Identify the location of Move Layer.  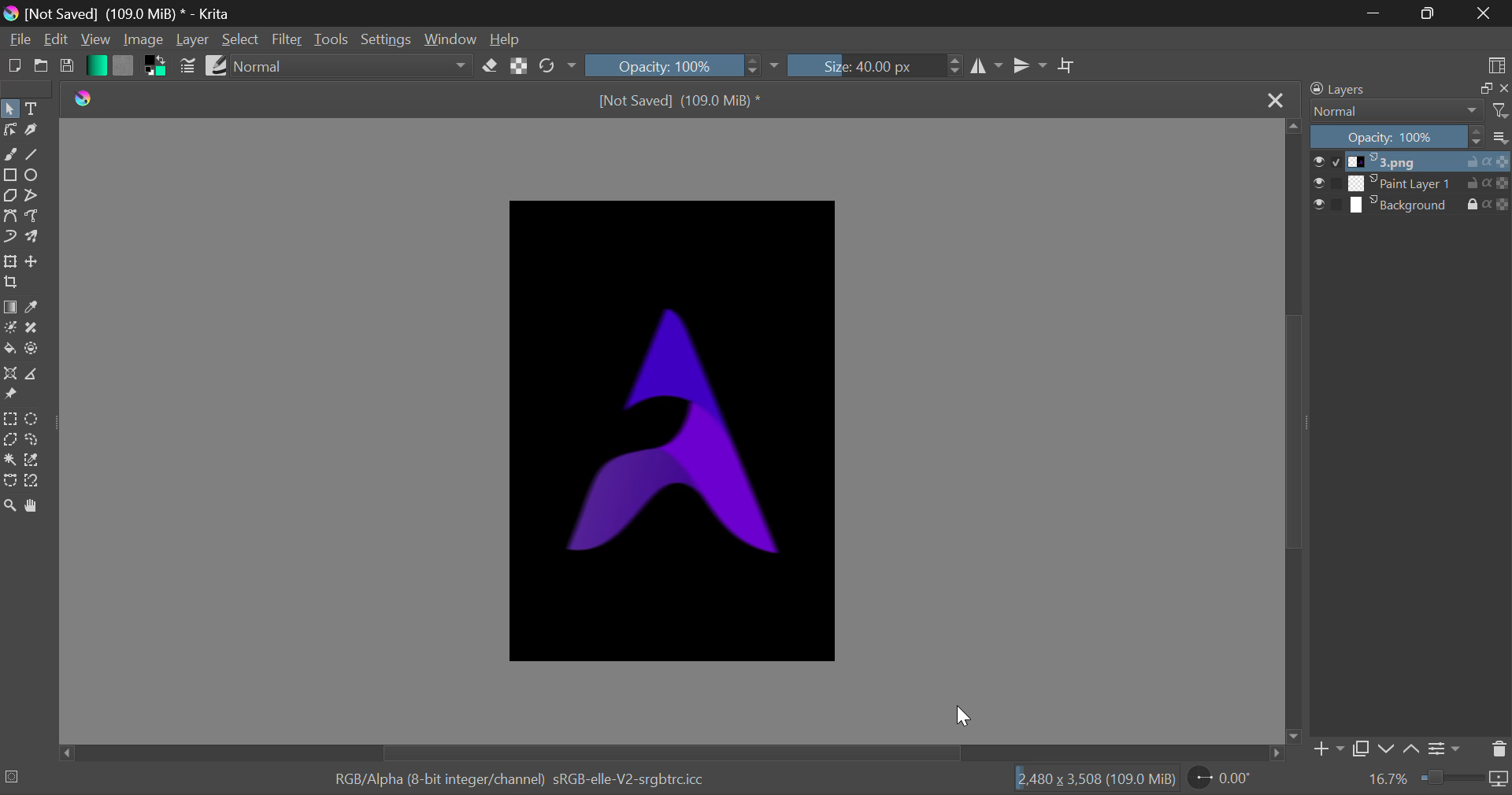
(35, 261).